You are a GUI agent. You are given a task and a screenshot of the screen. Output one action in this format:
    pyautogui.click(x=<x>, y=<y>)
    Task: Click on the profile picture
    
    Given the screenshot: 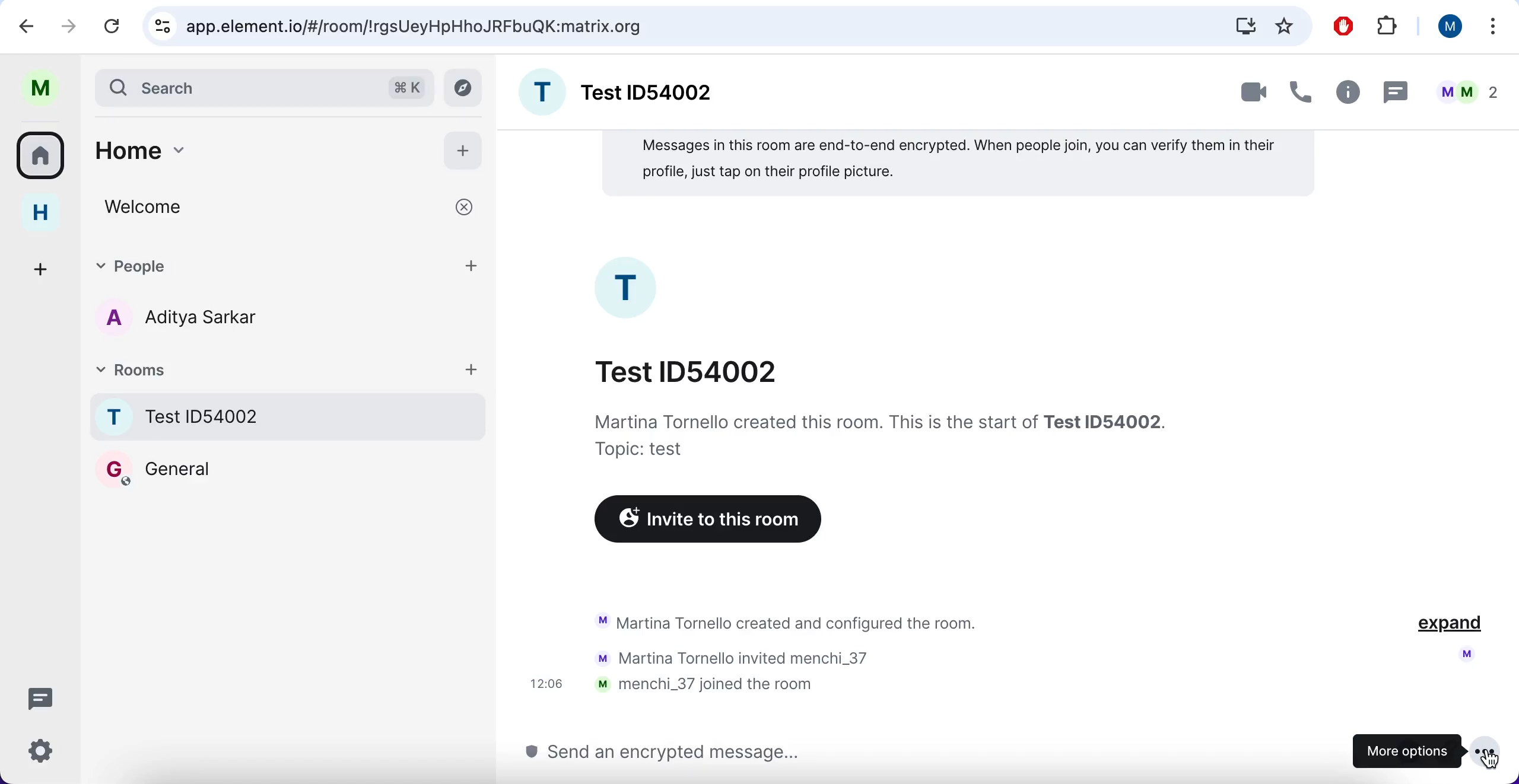 What is the action you would take?
    pyautogui.click(x=629, y=286)
    